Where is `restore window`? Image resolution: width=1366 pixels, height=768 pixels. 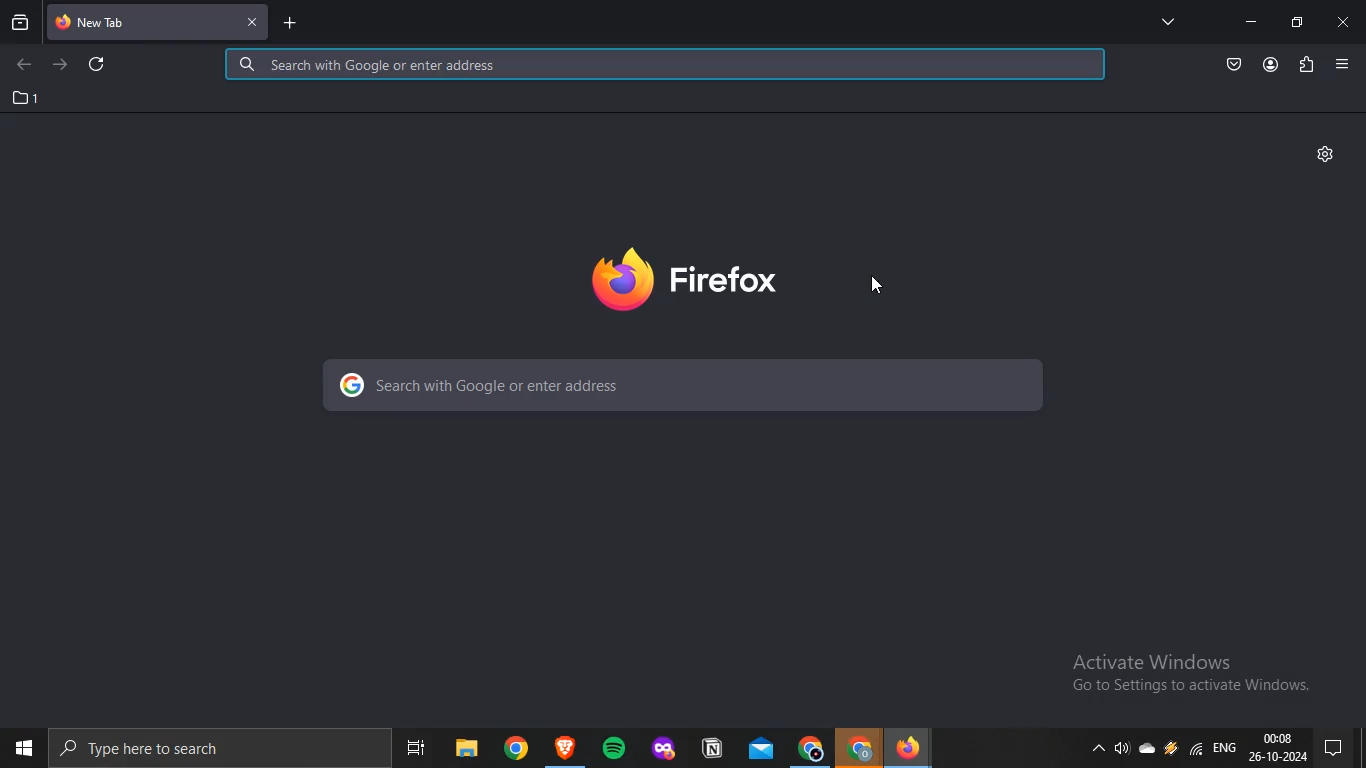 restore window is located at coordinates (1298, 23).